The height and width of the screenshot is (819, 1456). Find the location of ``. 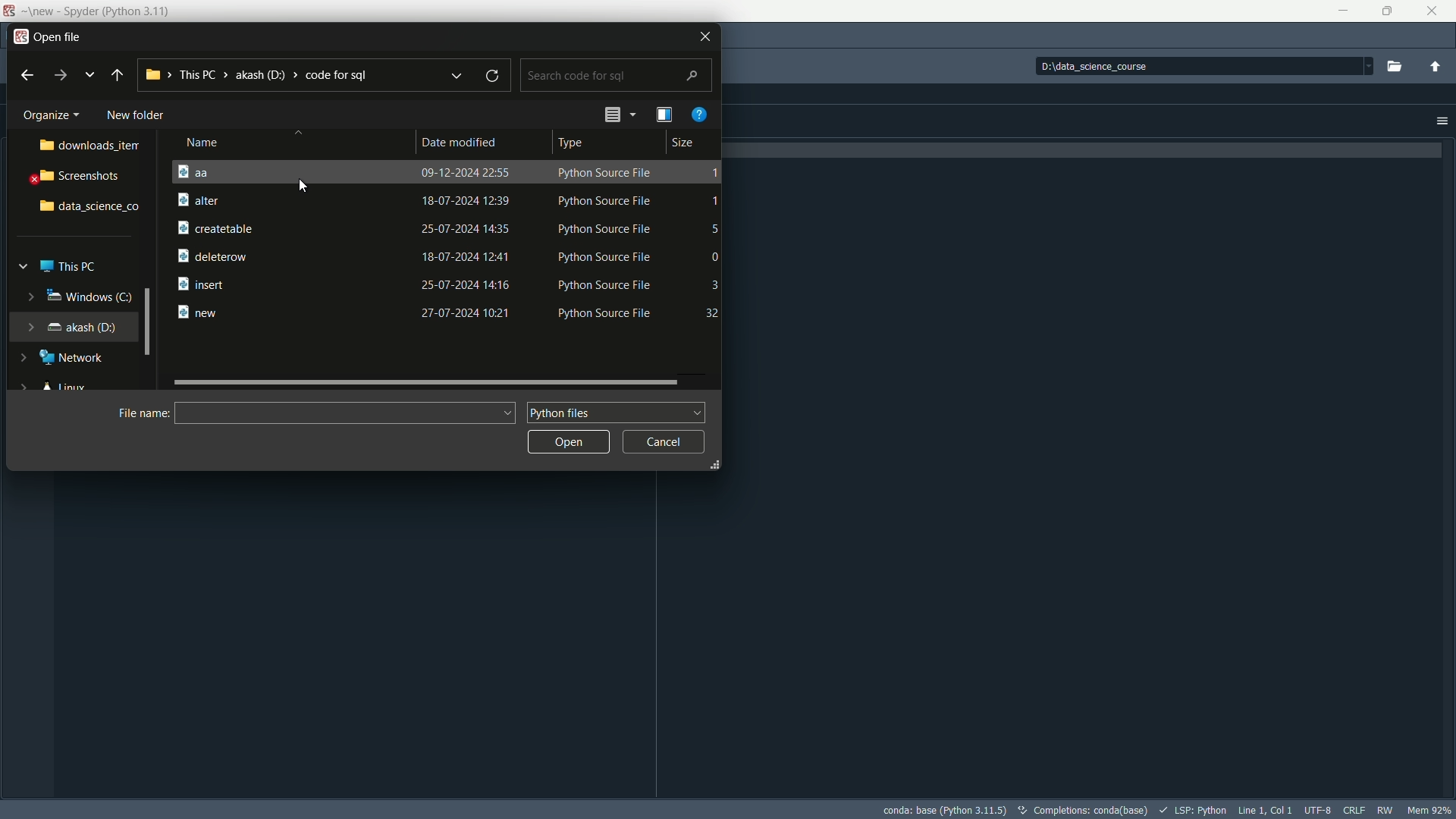

 is located at coordinates (452, 76).